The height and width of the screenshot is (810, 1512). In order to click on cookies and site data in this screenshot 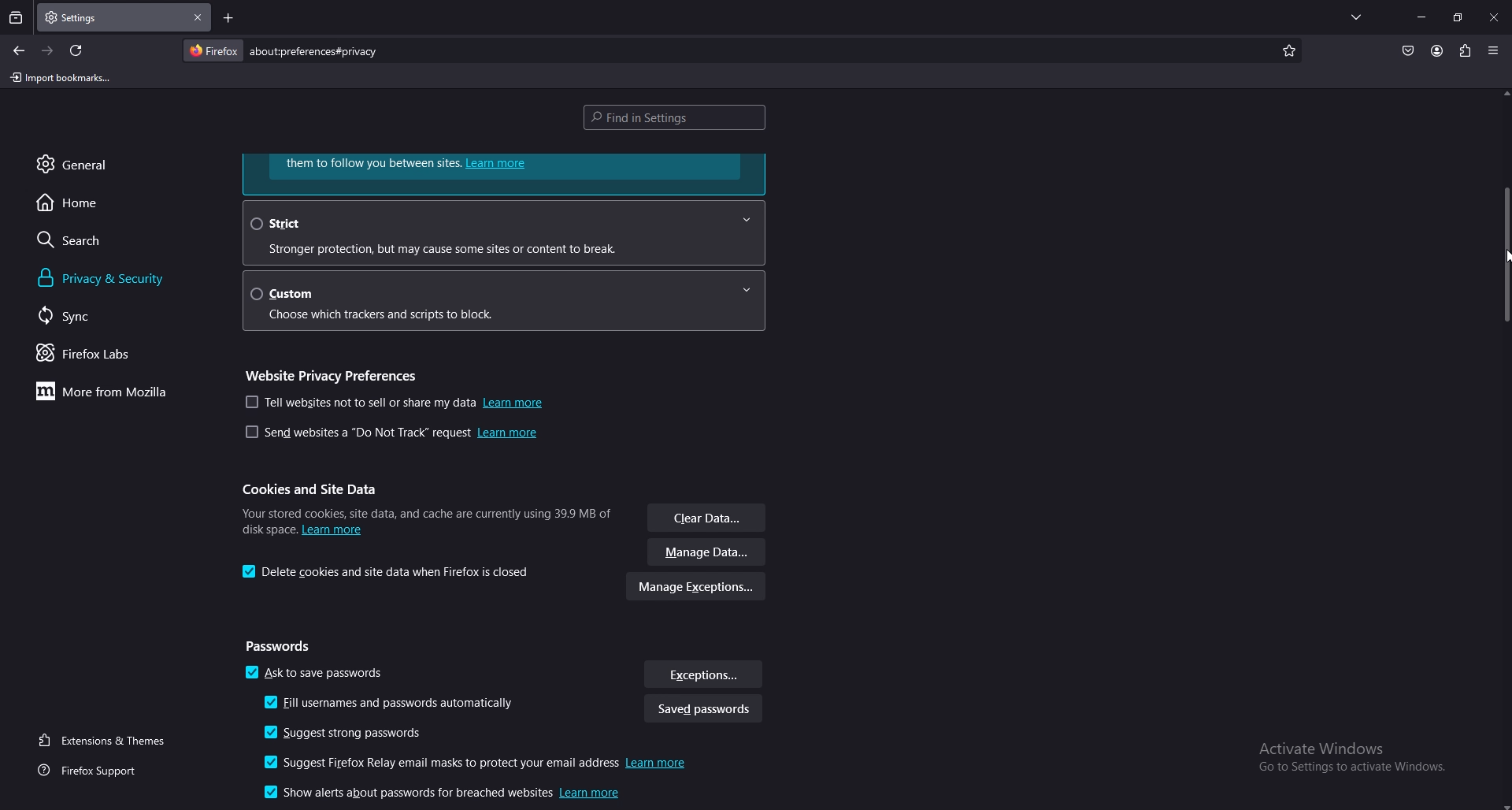, I will do `click(316, 489)`.